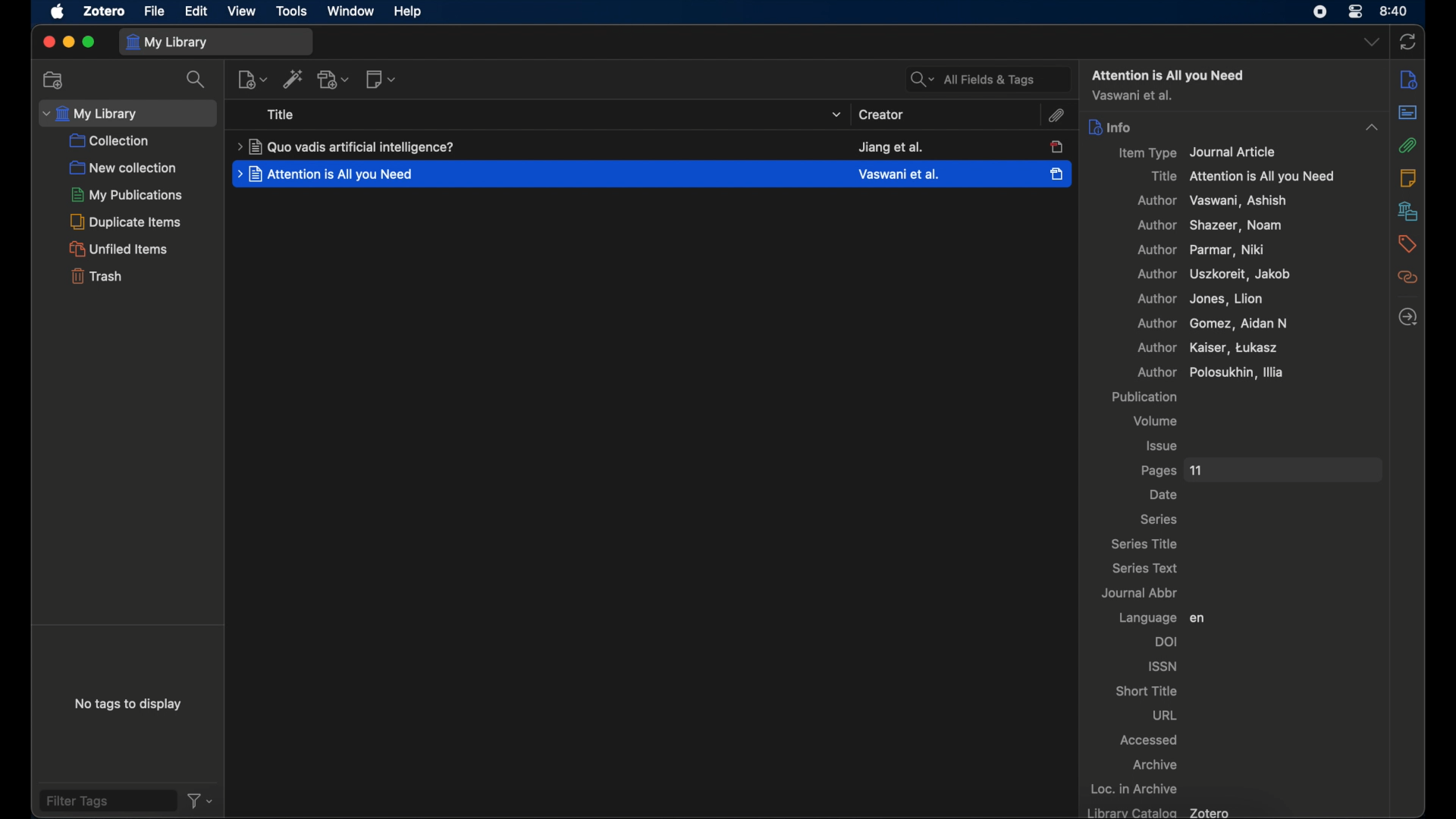 This screenshot has width=1456, height=819. What do you see at coordinates (1357, 12) in the screenshot?
I see `control center` at bounding box center [1357, 12].